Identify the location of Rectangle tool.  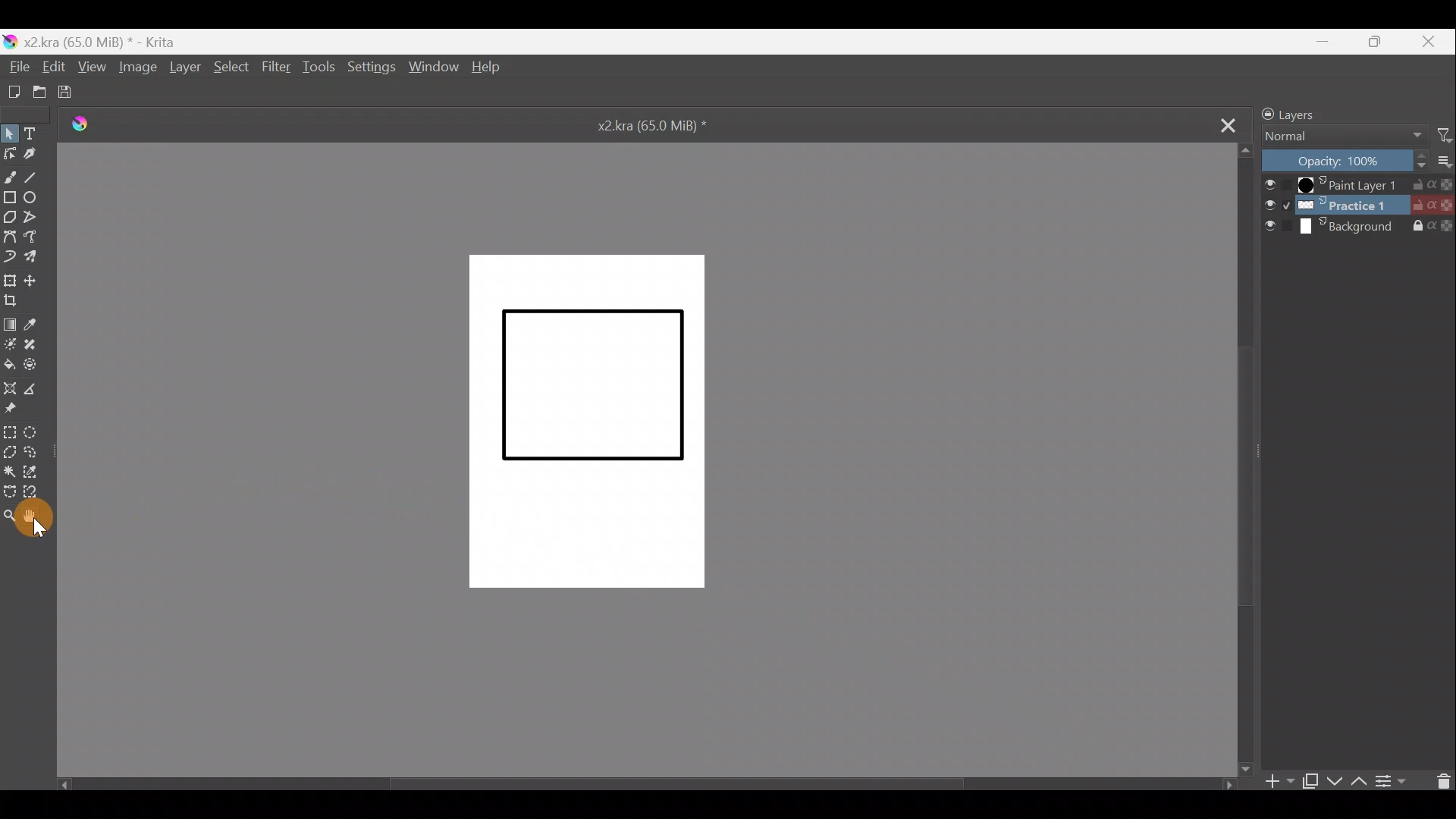
(10, 198).